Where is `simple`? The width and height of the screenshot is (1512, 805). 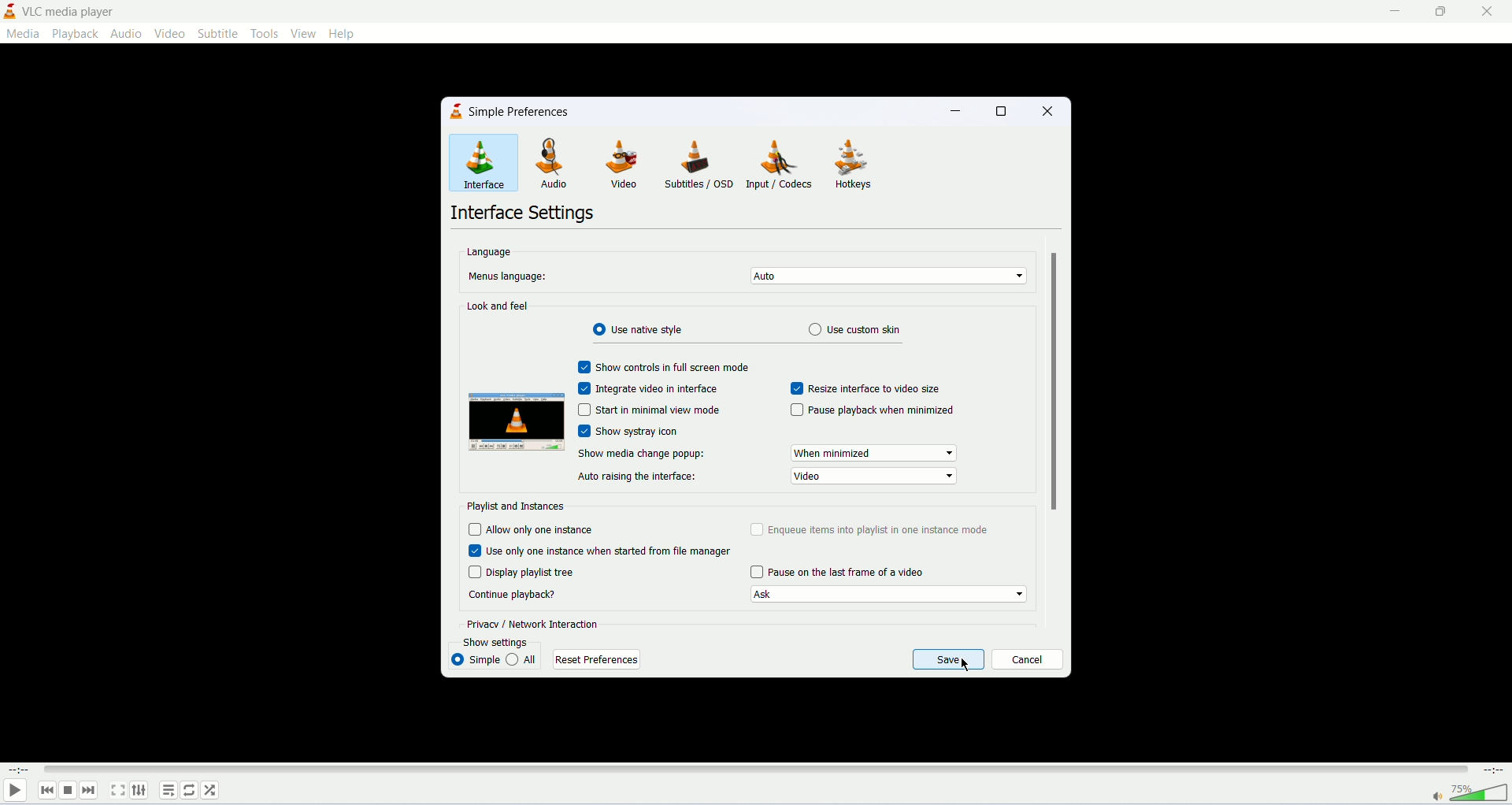 simple is located at coordinates (476, 658).